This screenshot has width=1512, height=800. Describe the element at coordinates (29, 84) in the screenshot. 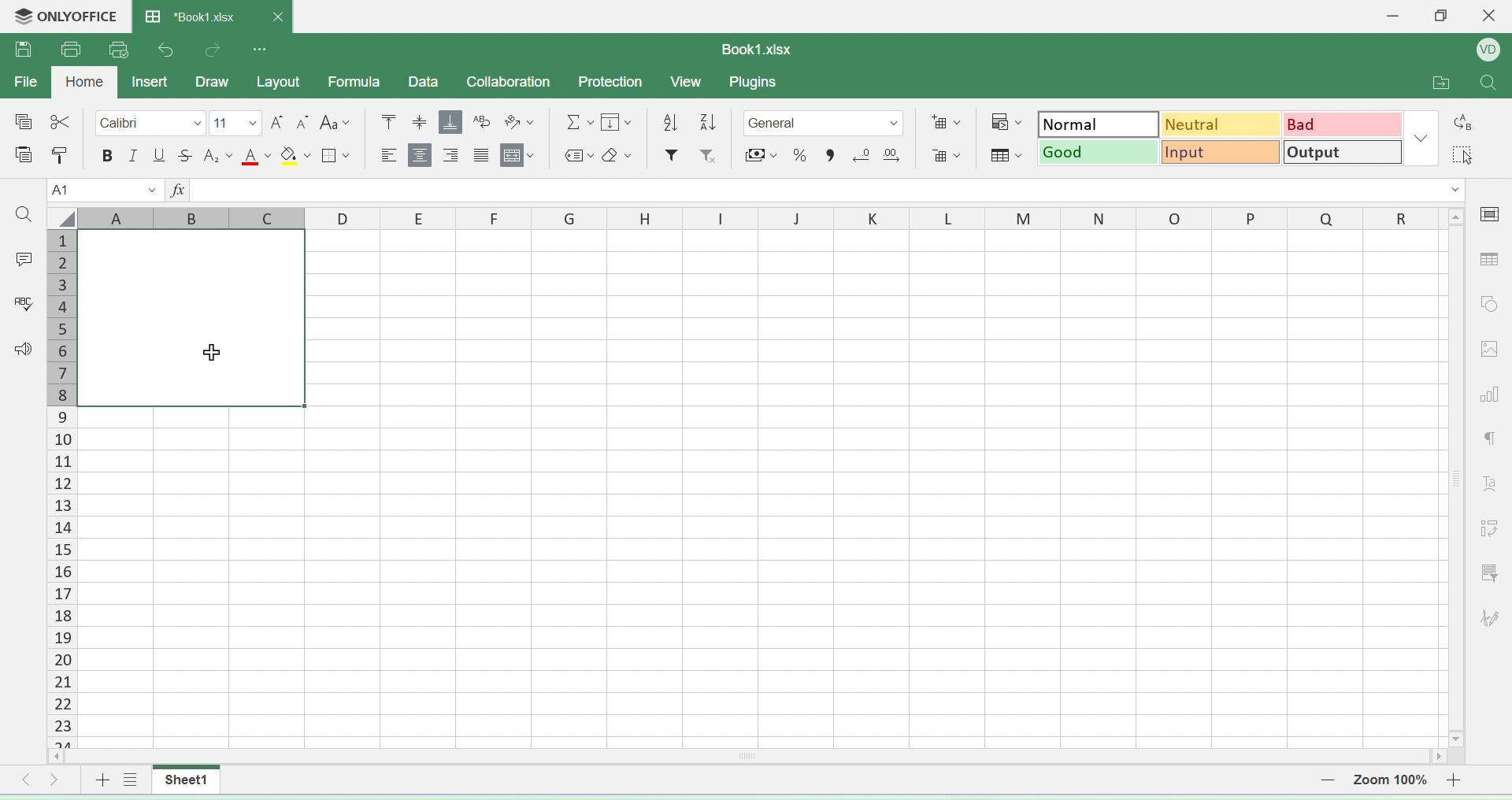

I see `file` at that location.